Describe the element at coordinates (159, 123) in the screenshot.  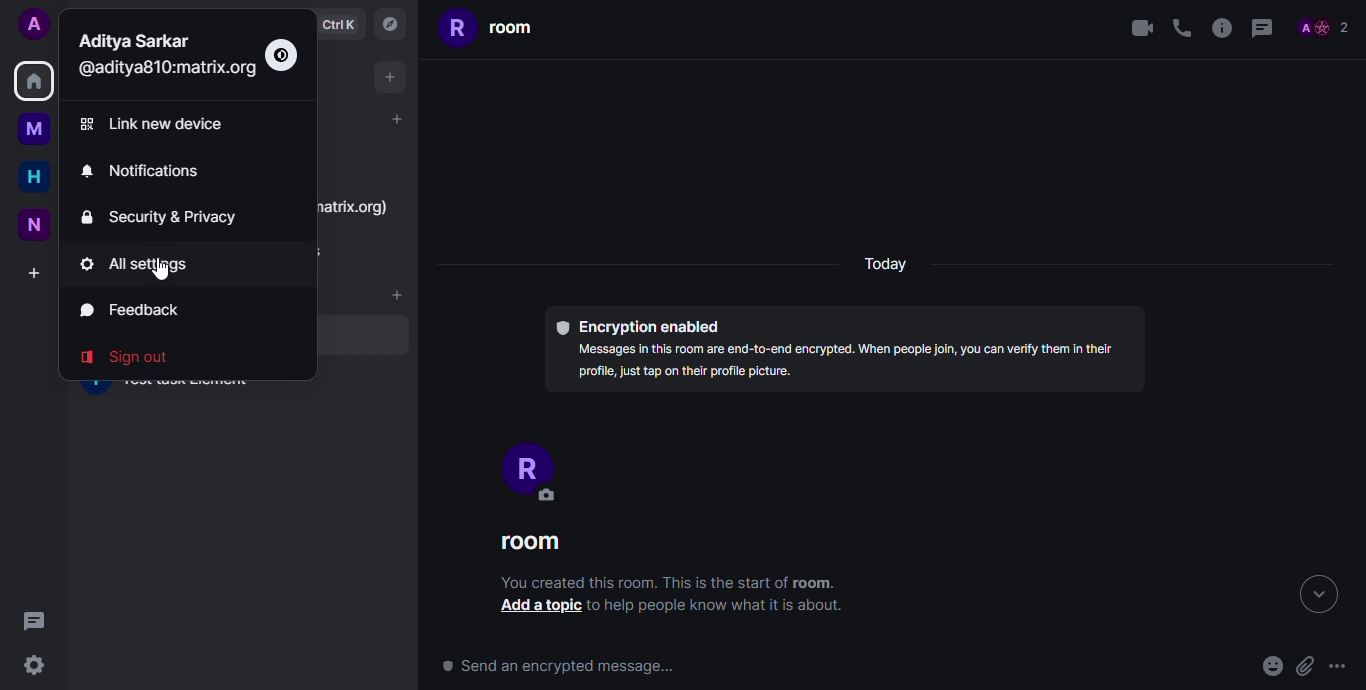
I see `link new device` at that location.